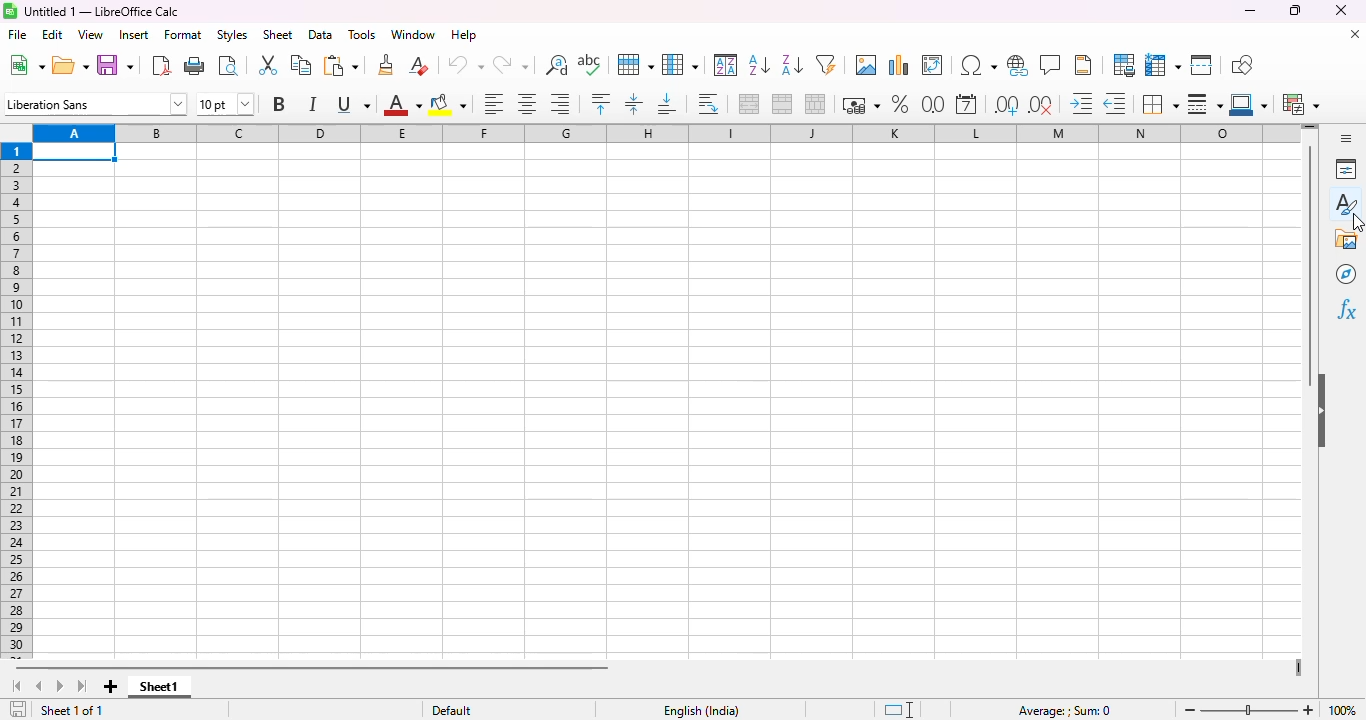  What do you see at coordinates (900, 104) in the screenshot?
I see `format as percent` at bounding box center [900, 104].